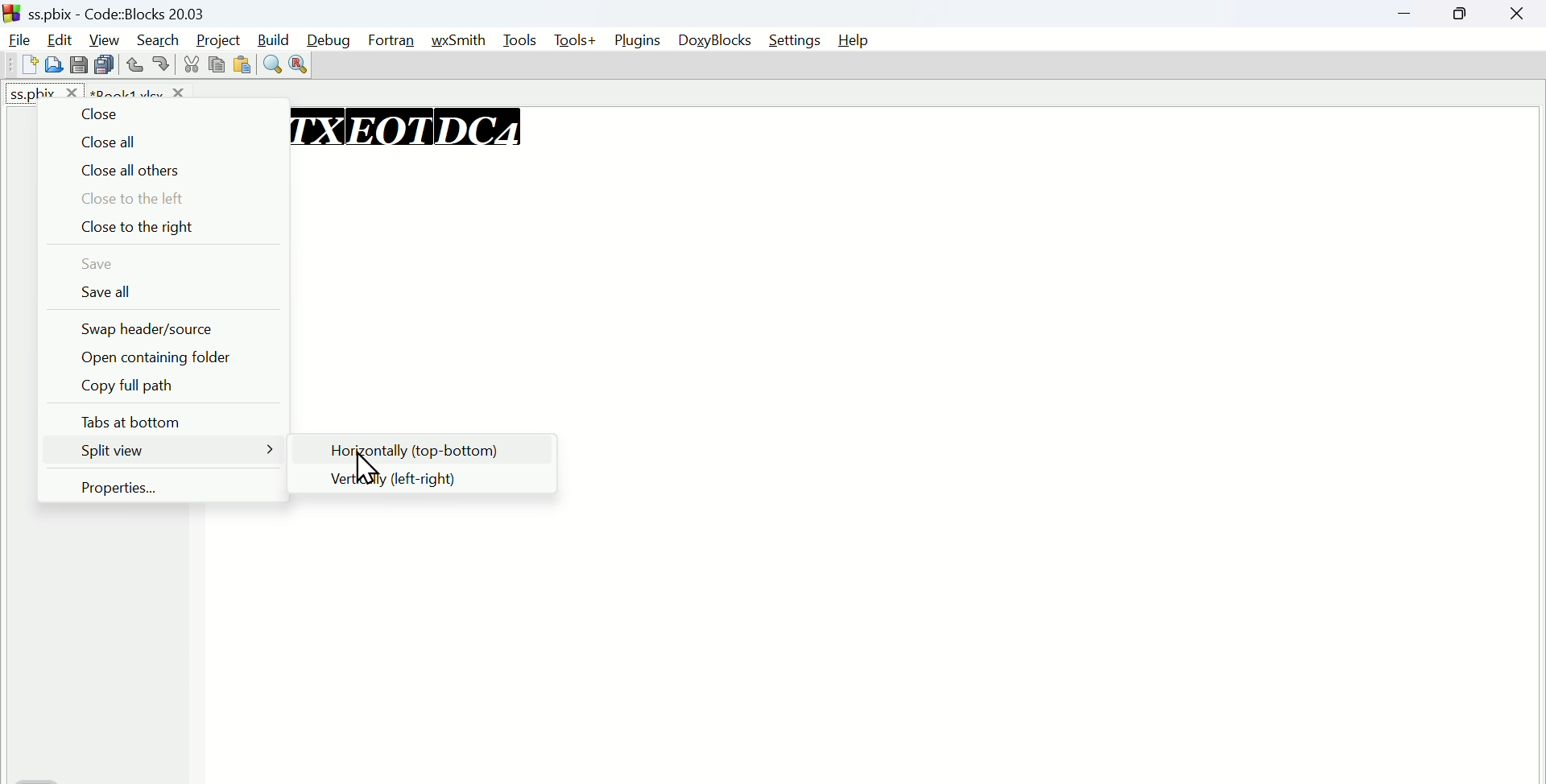  I want to click on tabs at Bottom, so click(164, 418).